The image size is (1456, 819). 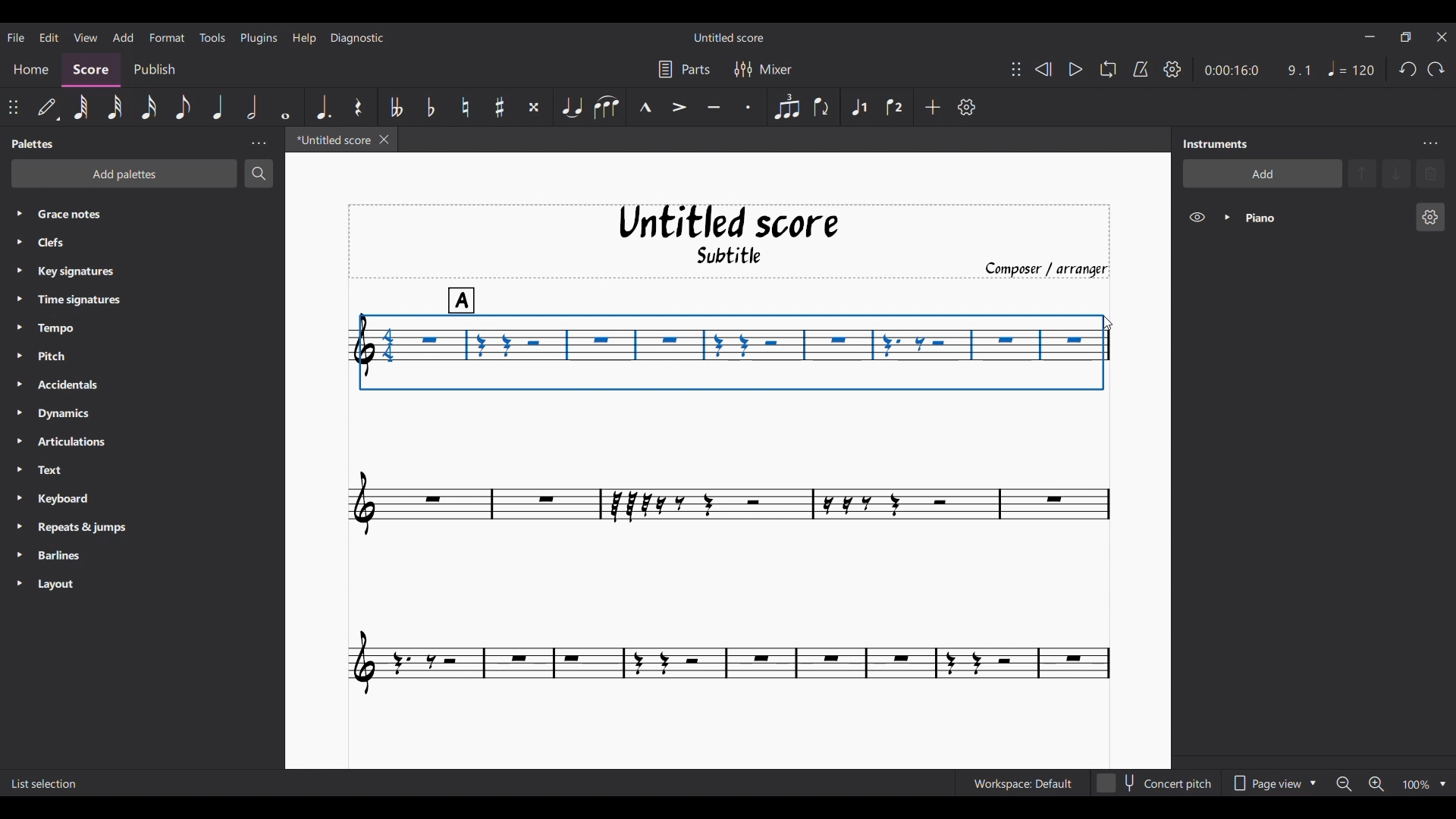 I want to click on Default, so click(x=47, y=106).